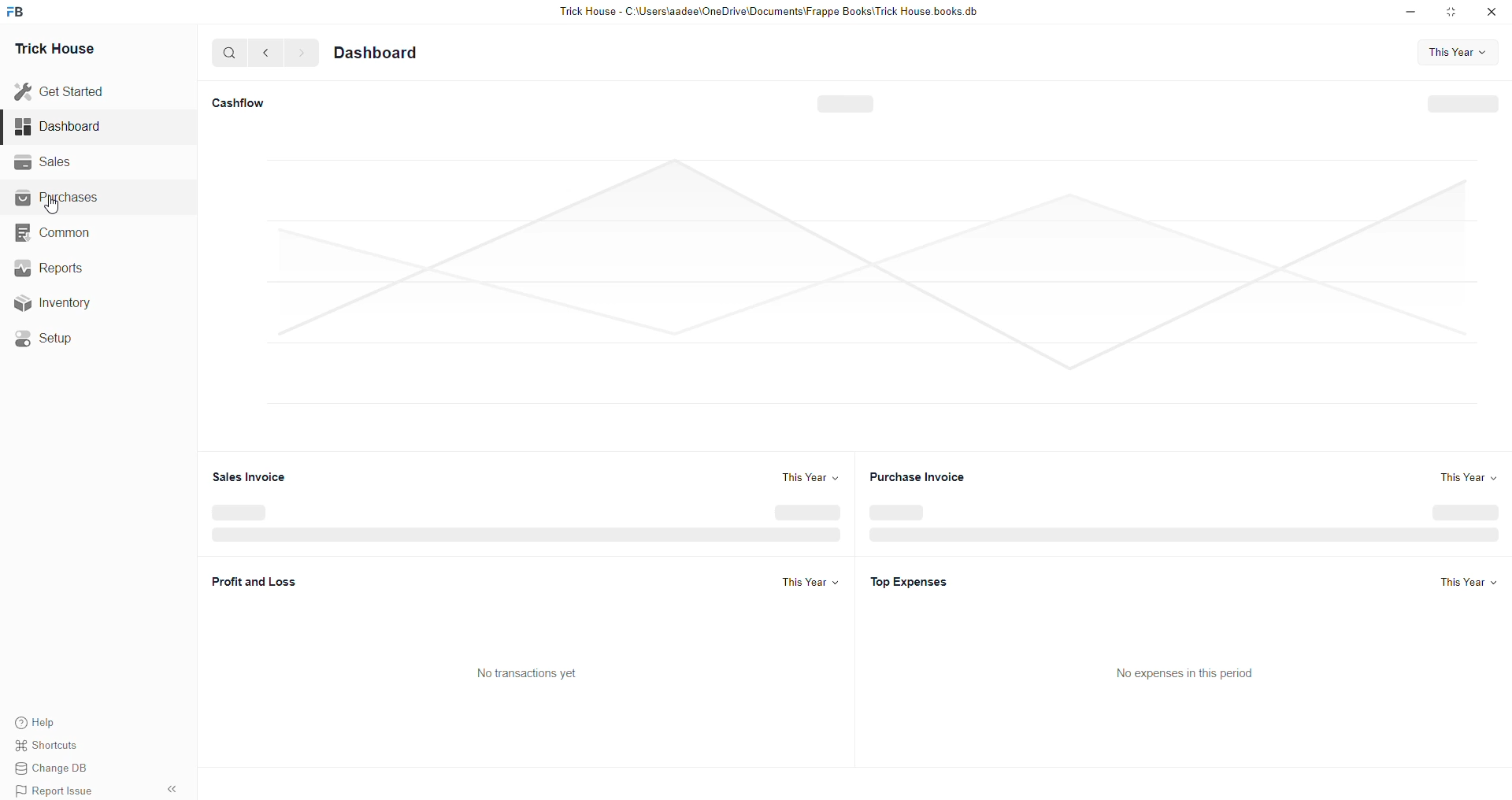  What do you see at coordinates (301, 53) in the screenshot?
I see `>` at bounding box center [301, 53].